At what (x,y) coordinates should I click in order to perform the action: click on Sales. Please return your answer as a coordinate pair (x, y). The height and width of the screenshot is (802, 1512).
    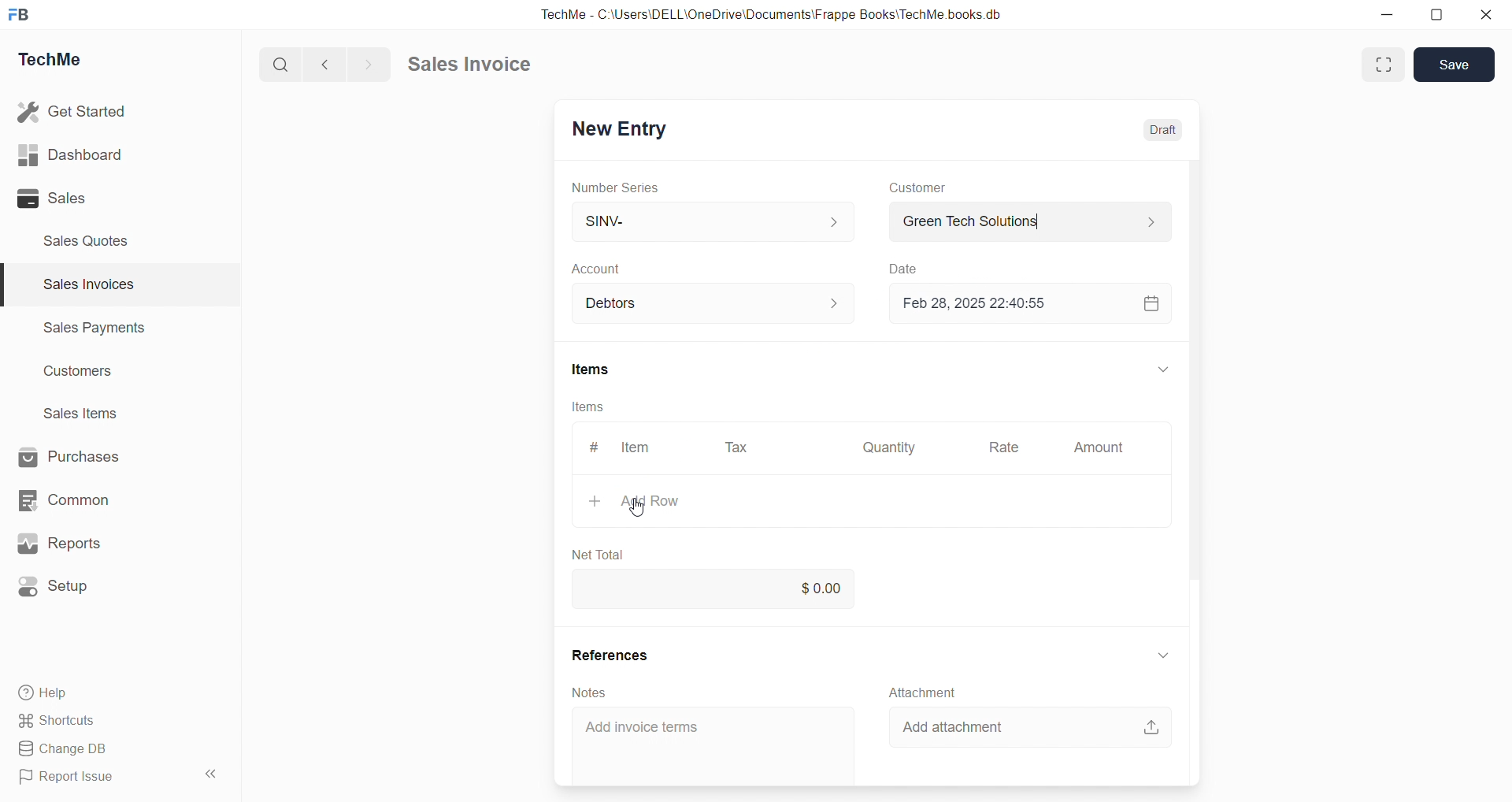
    Looking at the image, I should click on (52, 198).